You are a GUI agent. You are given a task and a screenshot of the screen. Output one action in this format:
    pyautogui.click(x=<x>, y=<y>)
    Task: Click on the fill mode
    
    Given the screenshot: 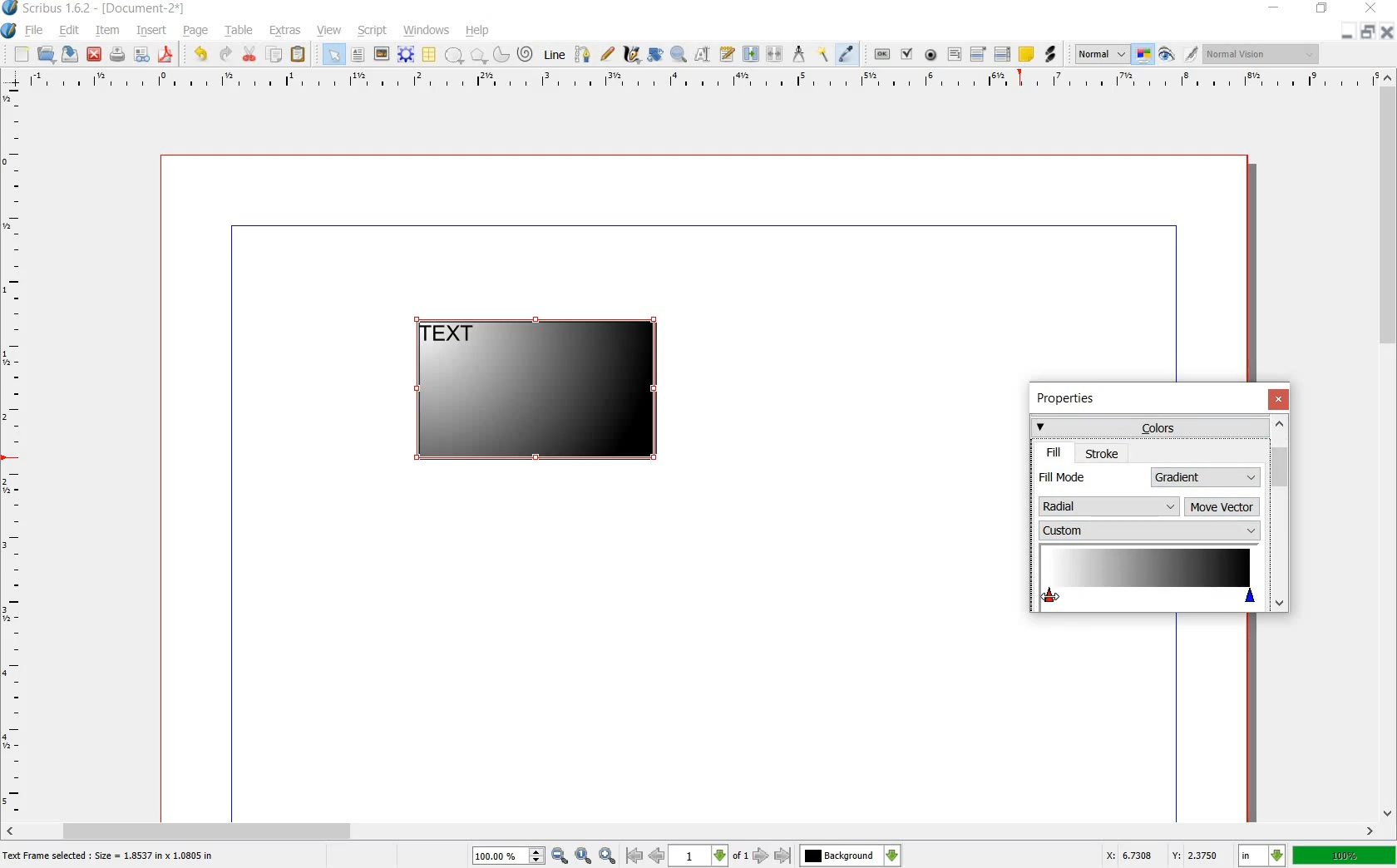 What is the action you would take?
    pyautogui.click(x=1091, y=476)
    